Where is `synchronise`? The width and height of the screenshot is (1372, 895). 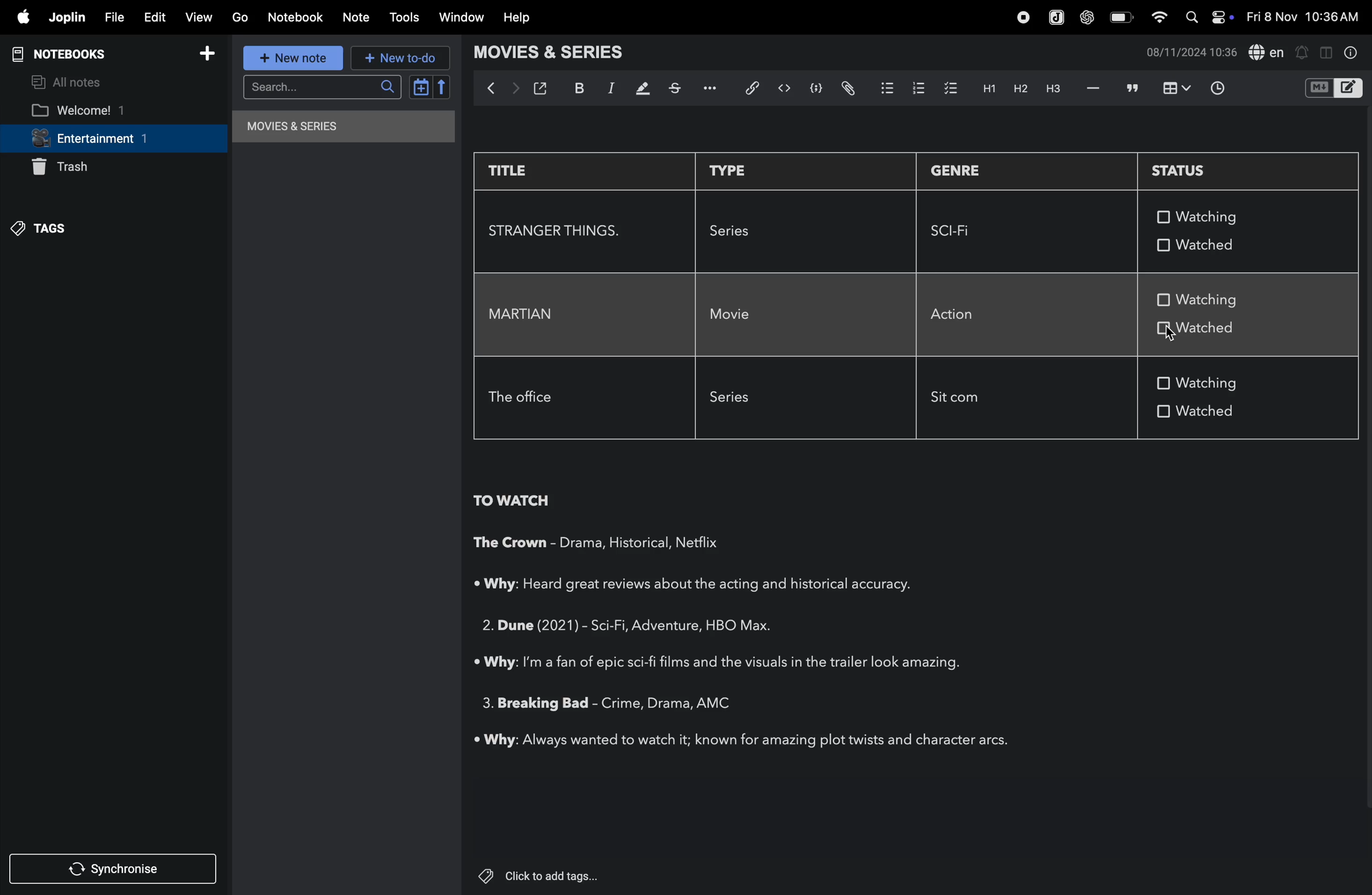 synchronise is located at coordinates (116, 870).